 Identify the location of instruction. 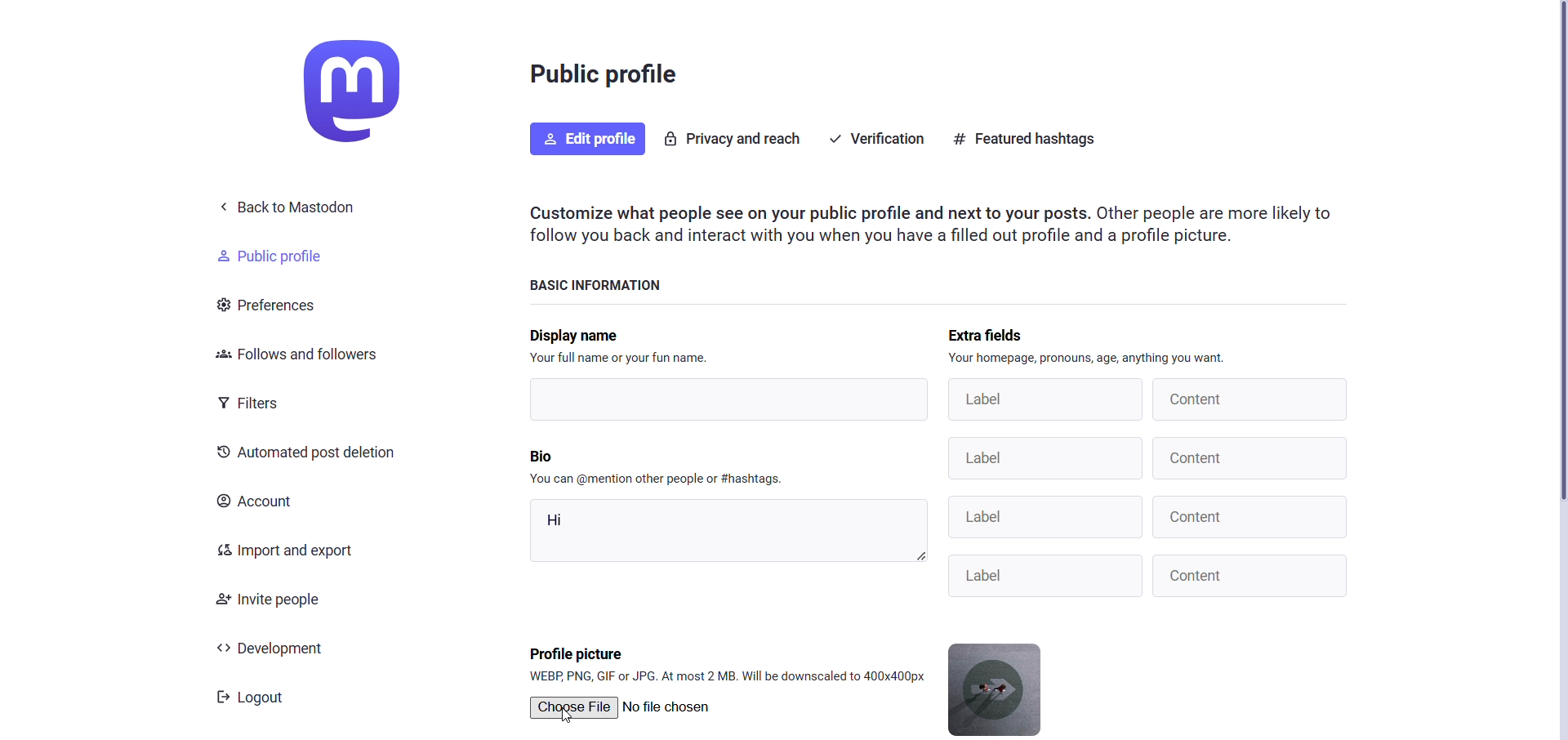
(656, 480).